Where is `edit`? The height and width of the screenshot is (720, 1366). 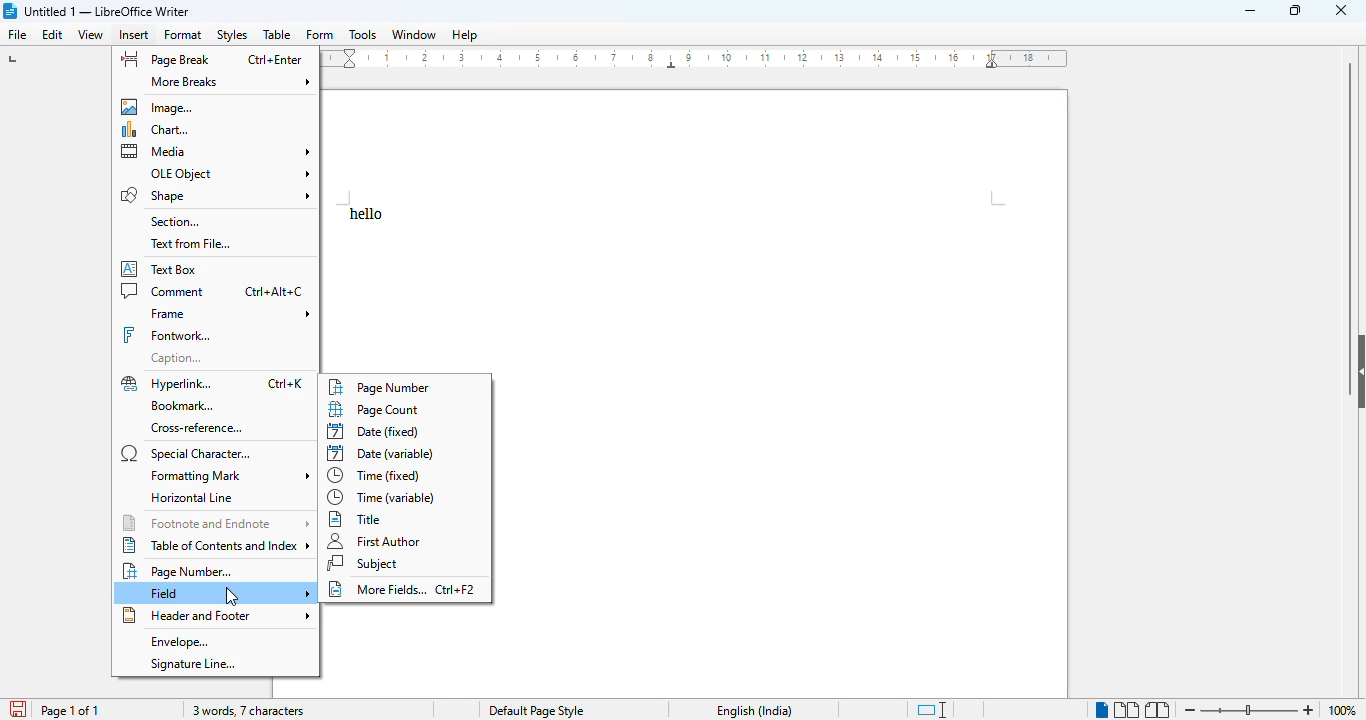 edit is located at coordinates (53, 34).